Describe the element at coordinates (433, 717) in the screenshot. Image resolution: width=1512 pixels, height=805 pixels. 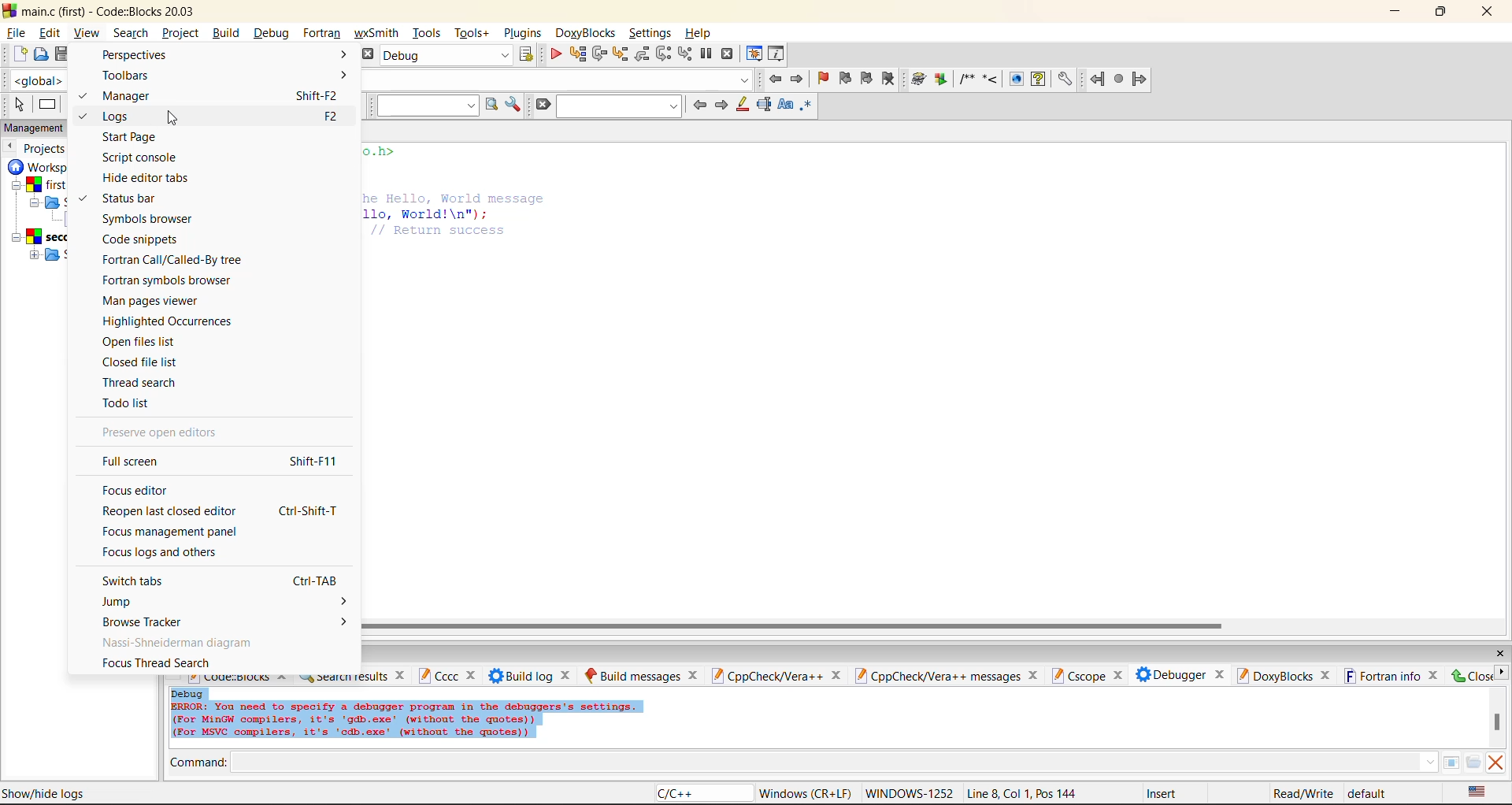
I see `debug data` at that location.